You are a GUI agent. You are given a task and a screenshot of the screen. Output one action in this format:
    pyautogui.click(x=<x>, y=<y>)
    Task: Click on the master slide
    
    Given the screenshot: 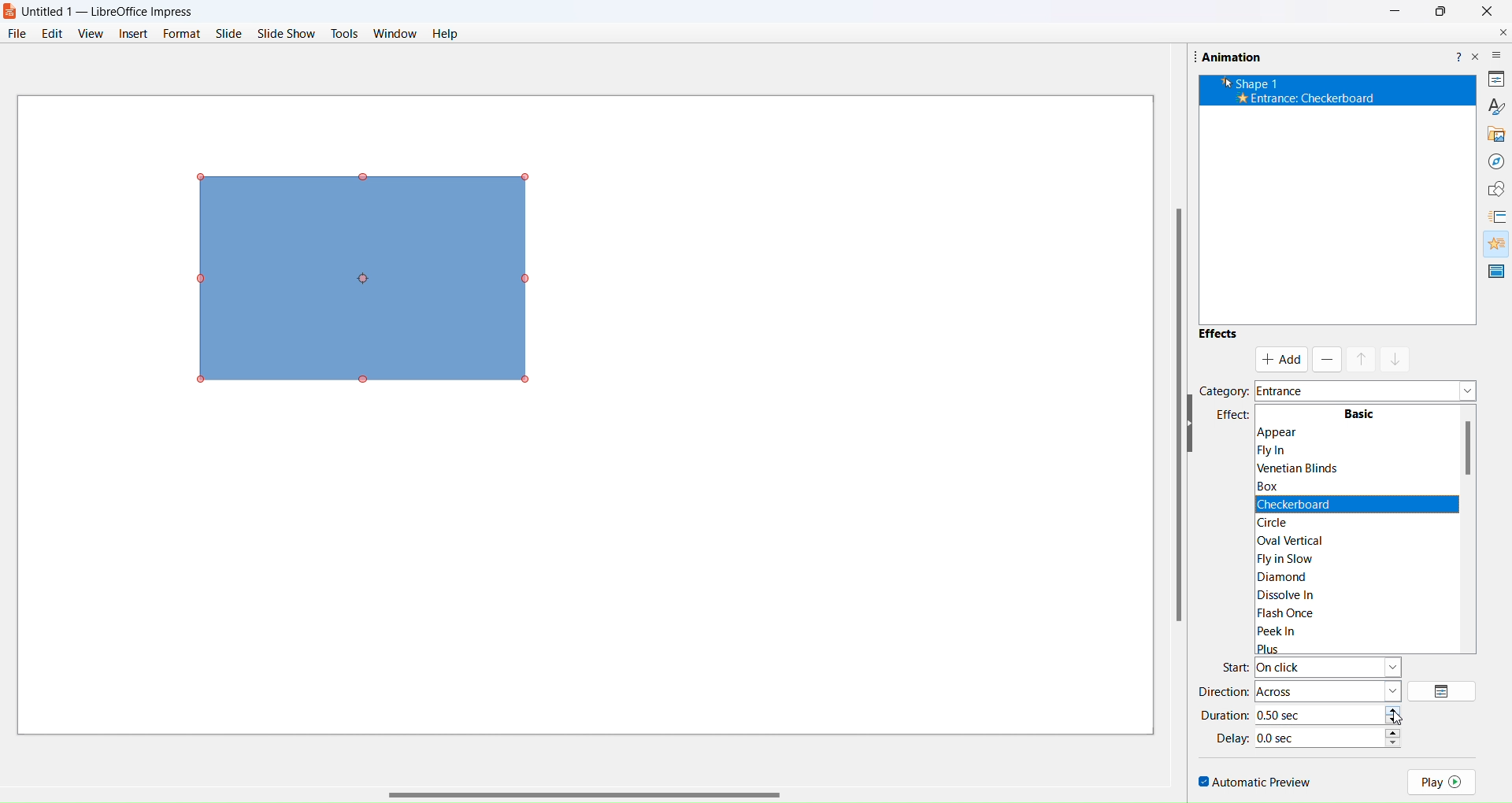 What is the action you would take?
    pyautogui.click(x=1495, y=272)
    